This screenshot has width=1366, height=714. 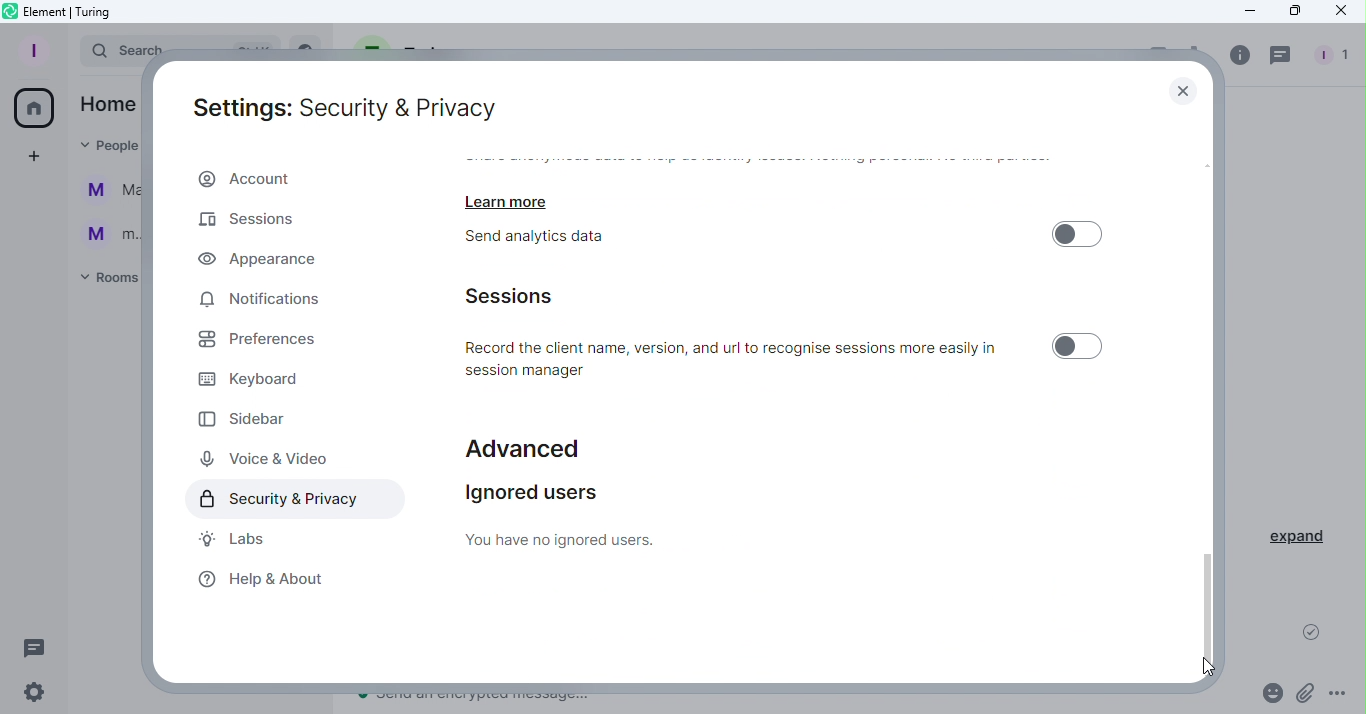 I want to click on Send analytics data, so click(x=555, y=240).